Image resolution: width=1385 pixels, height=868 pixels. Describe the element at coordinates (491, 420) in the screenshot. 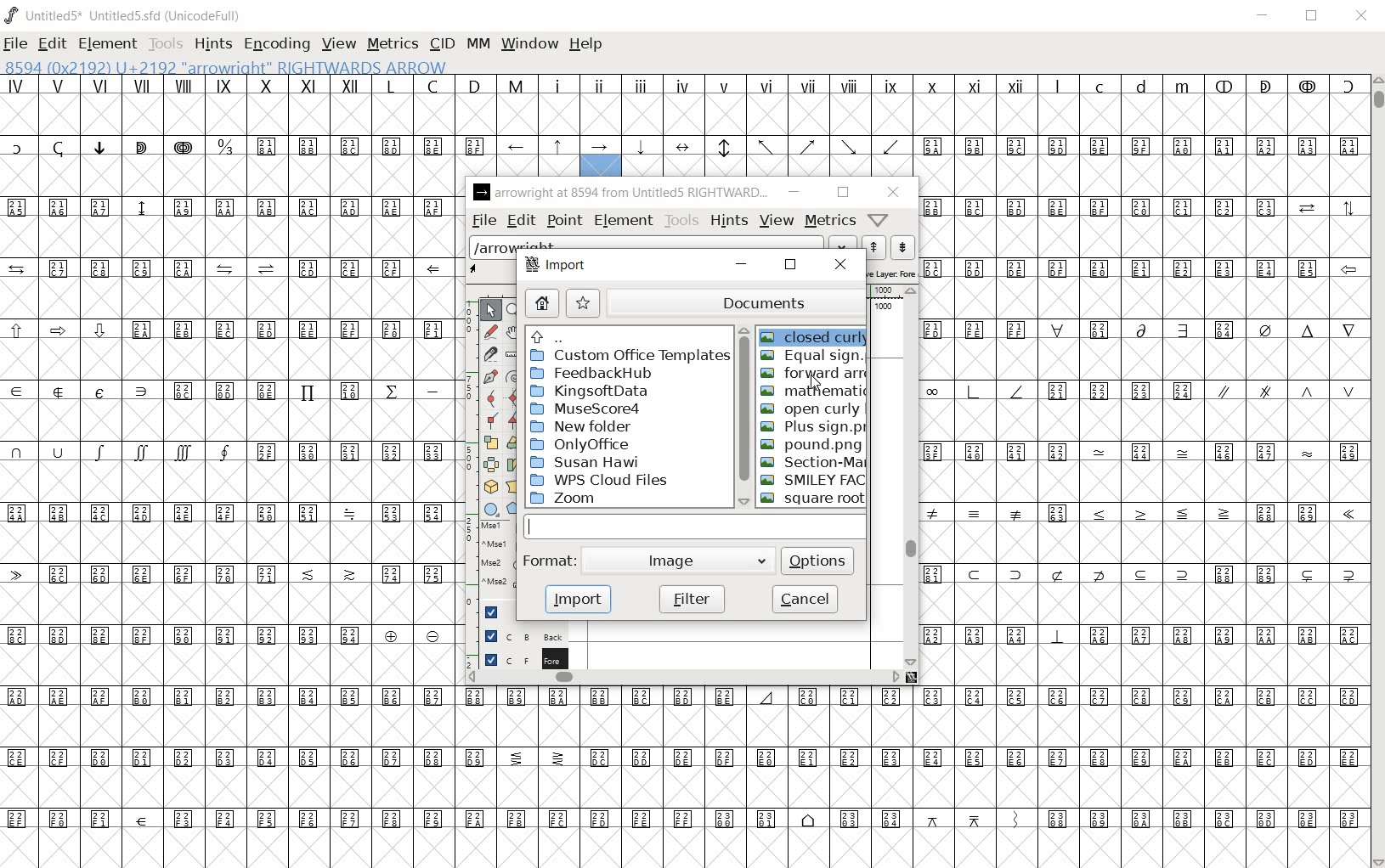

I see `Add a corner point` at that location.